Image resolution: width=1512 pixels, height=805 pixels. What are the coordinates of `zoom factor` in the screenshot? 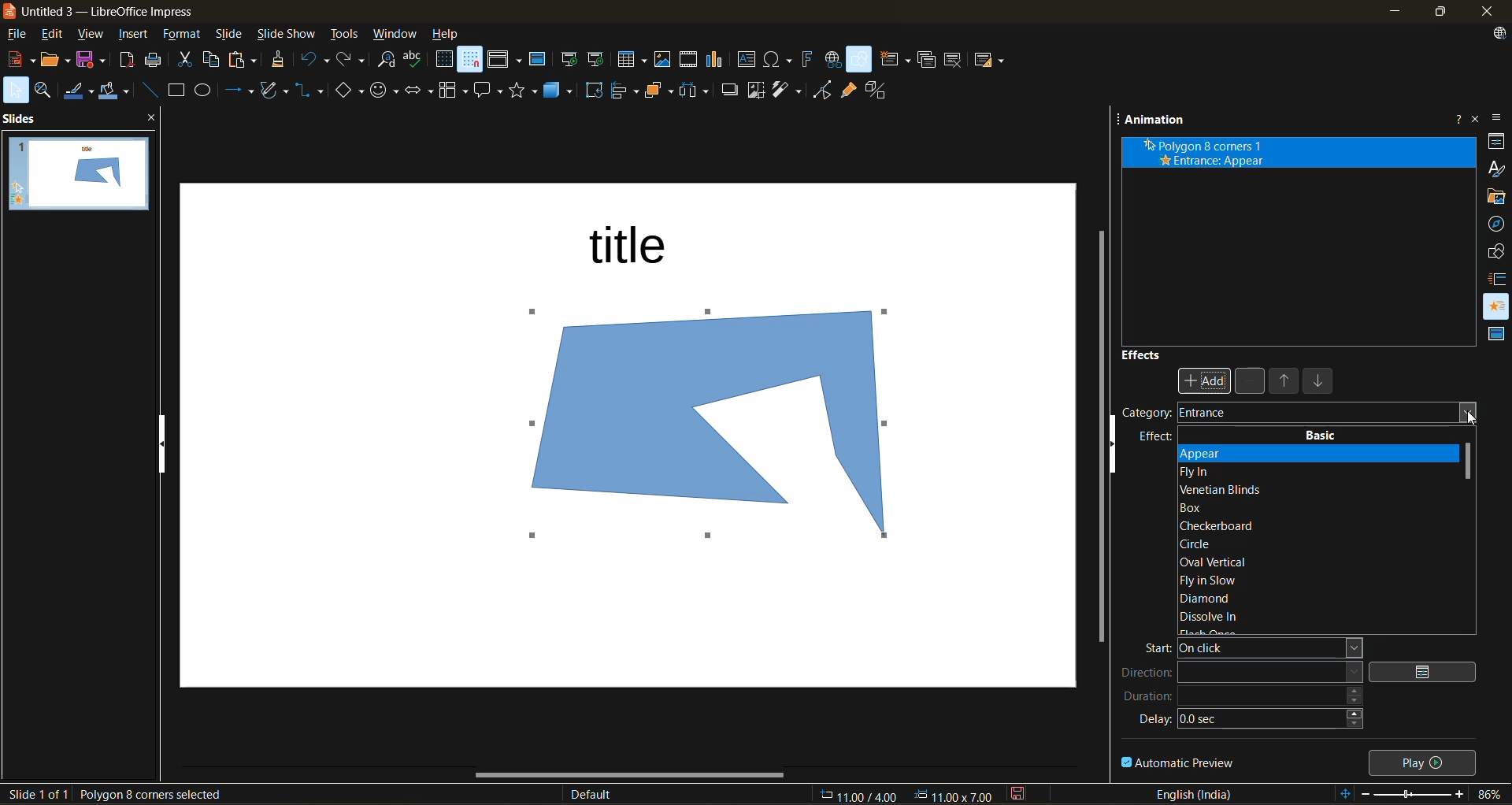 It's located at (1486, 793).